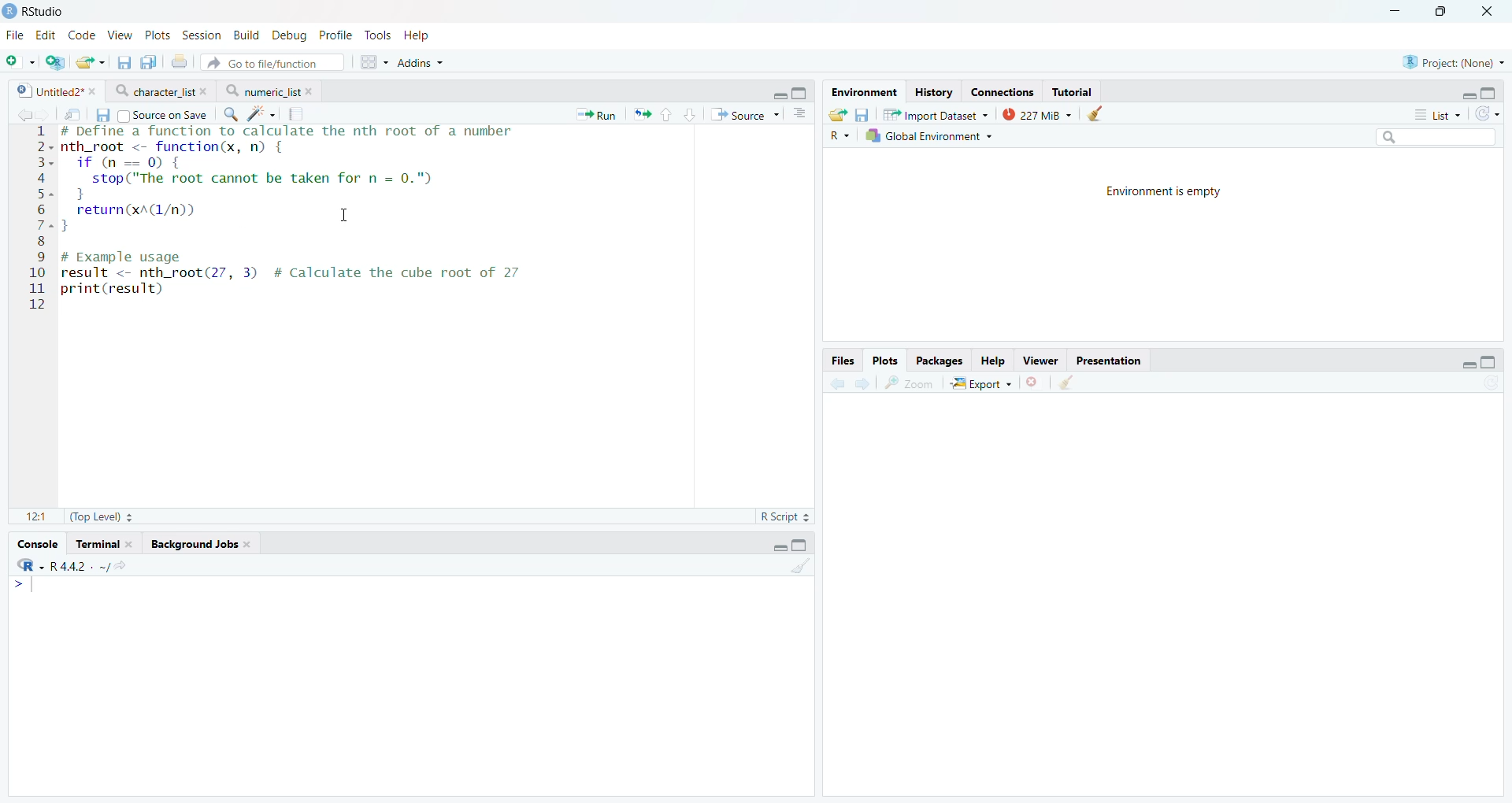 This screenshot has width=1512, height=803. I want to click on Addins, so click(421, 63).